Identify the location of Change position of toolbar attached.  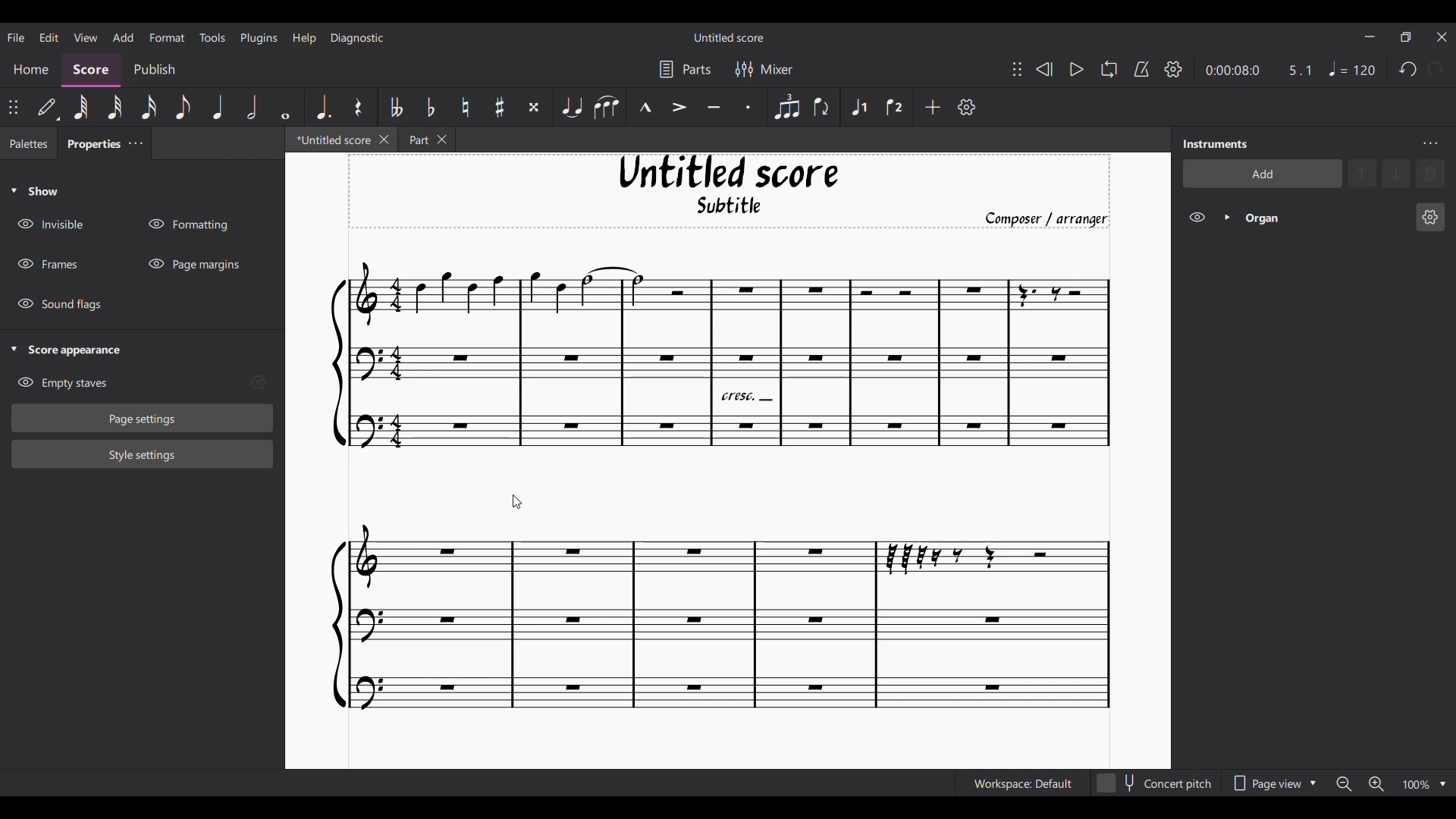
(1016, 69).